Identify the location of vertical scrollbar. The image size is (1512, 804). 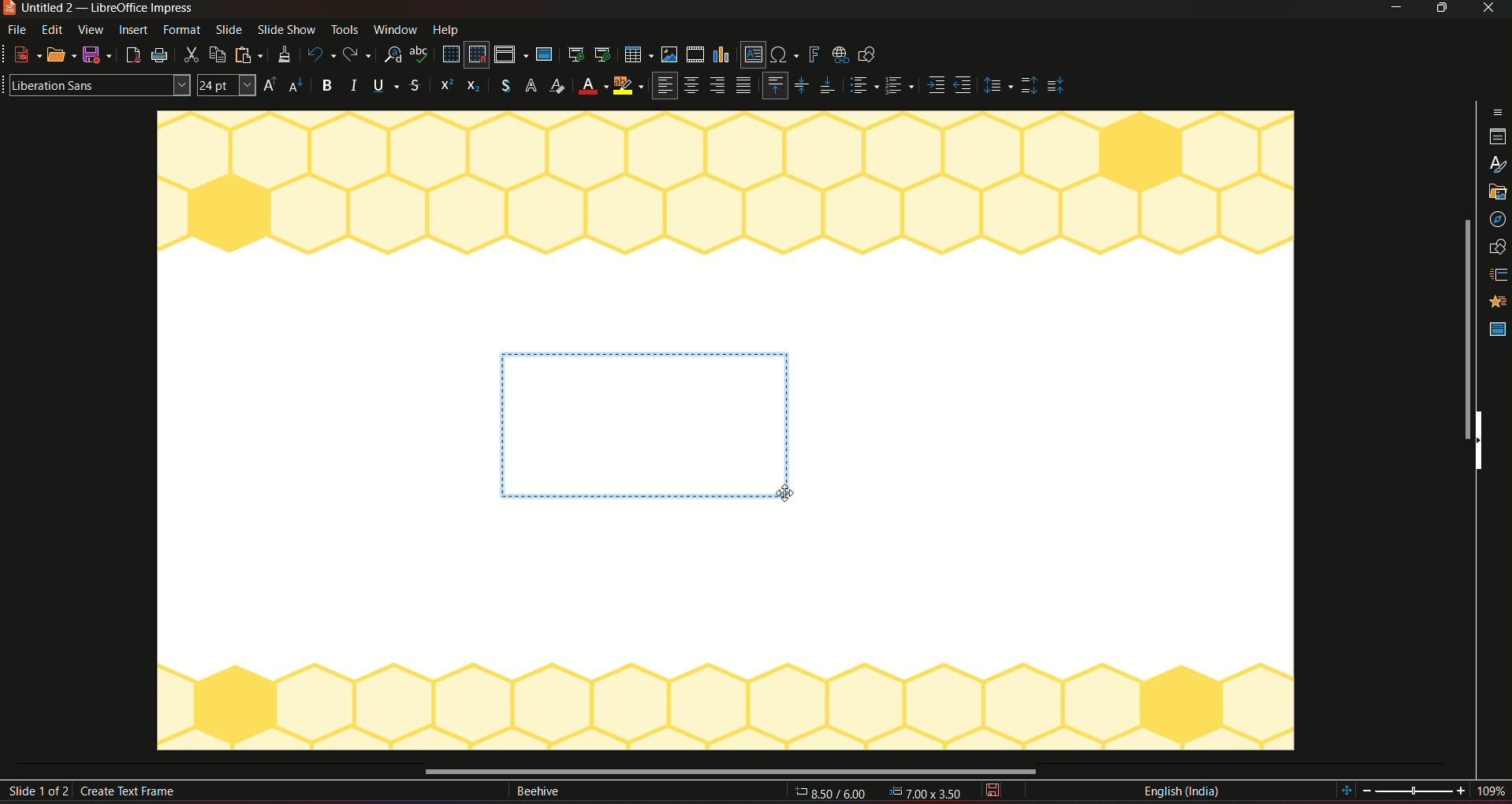
(1463, 328).